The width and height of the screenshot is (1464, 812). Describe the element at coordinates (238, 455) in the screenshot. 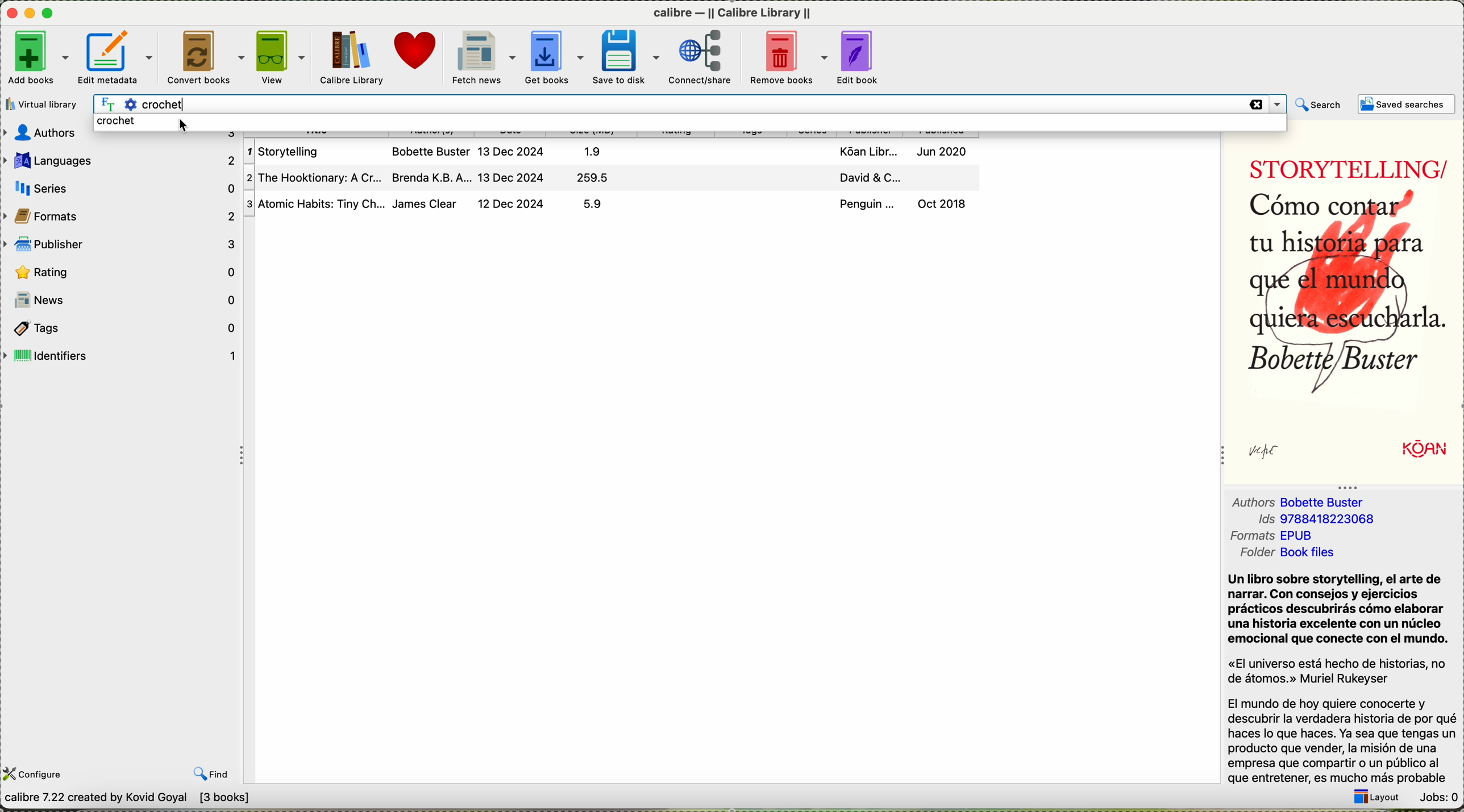

I see `Collapse` at that location.